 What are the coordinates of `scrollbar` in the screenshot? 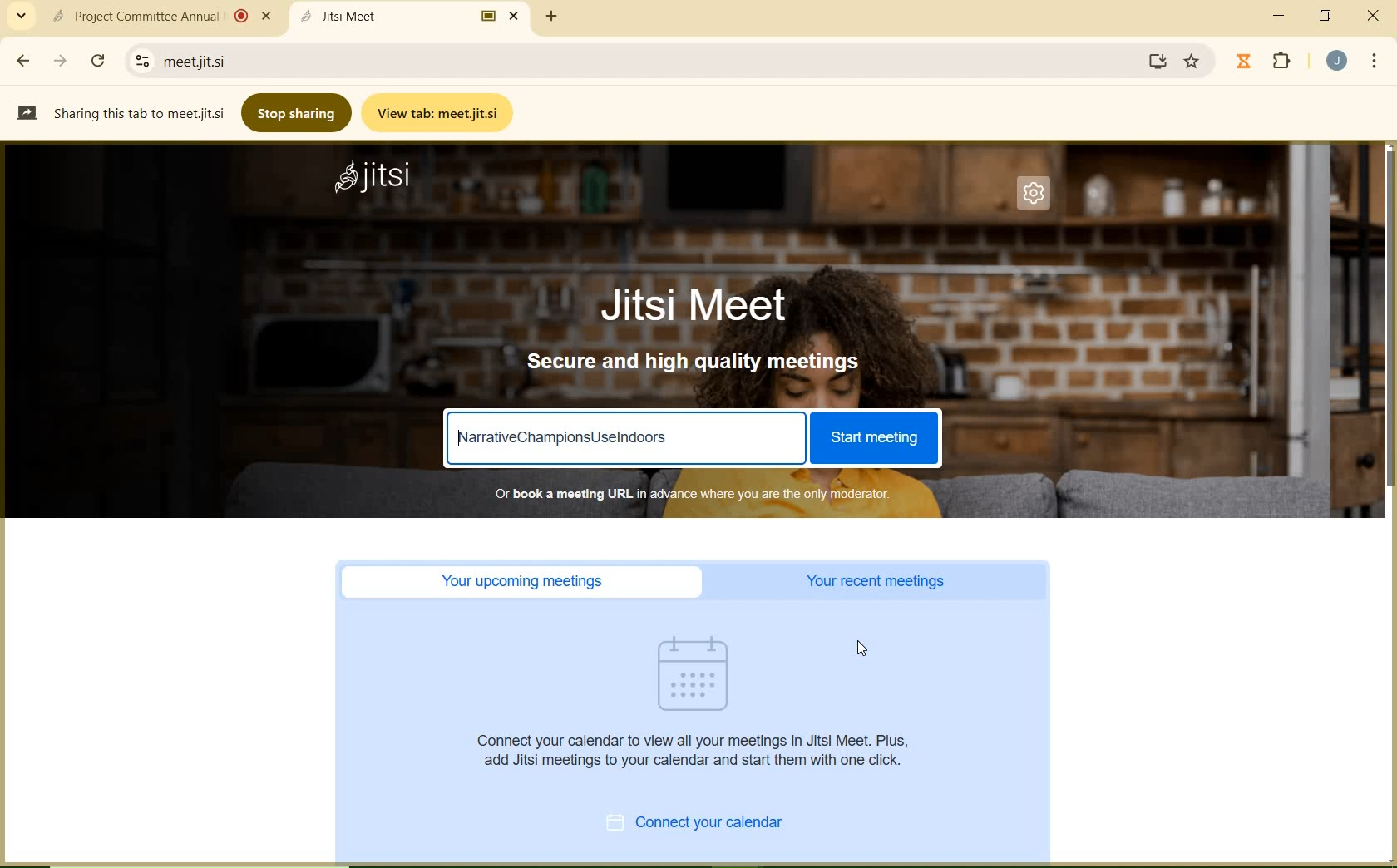 It's located at (1389, 501).